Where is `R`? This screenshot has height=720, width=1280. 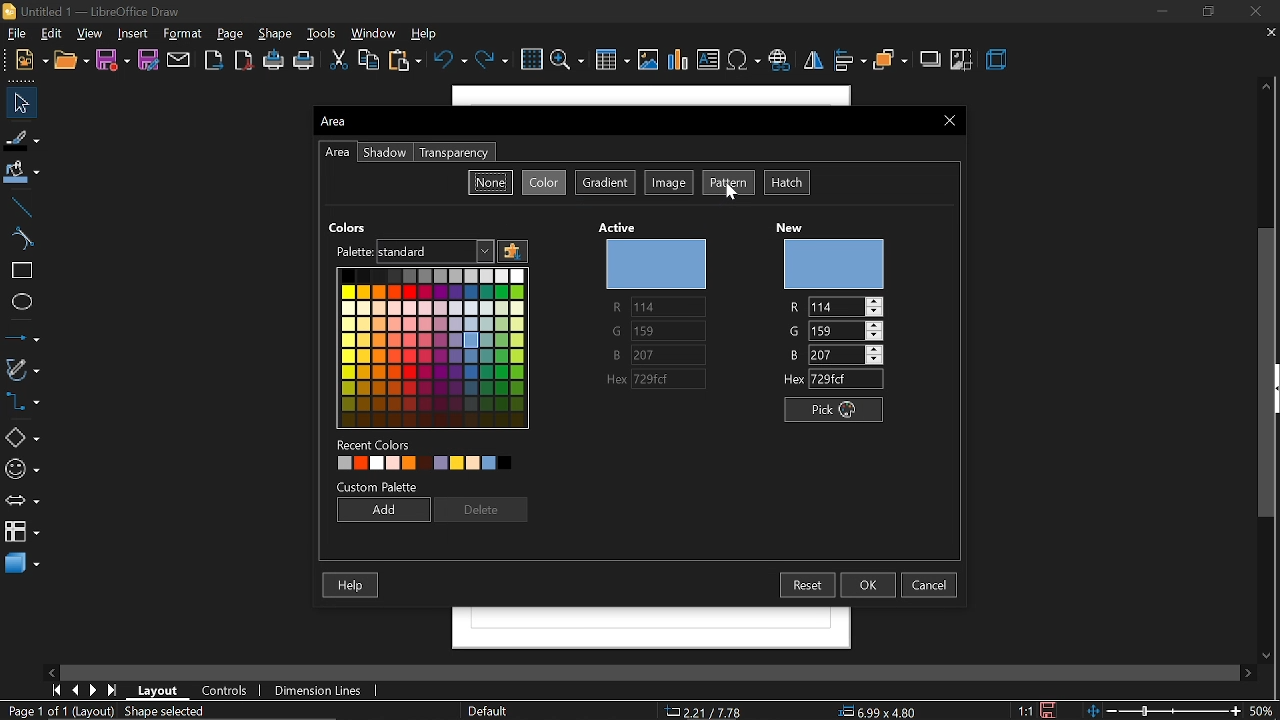
R is located at coordinates (613, 307).